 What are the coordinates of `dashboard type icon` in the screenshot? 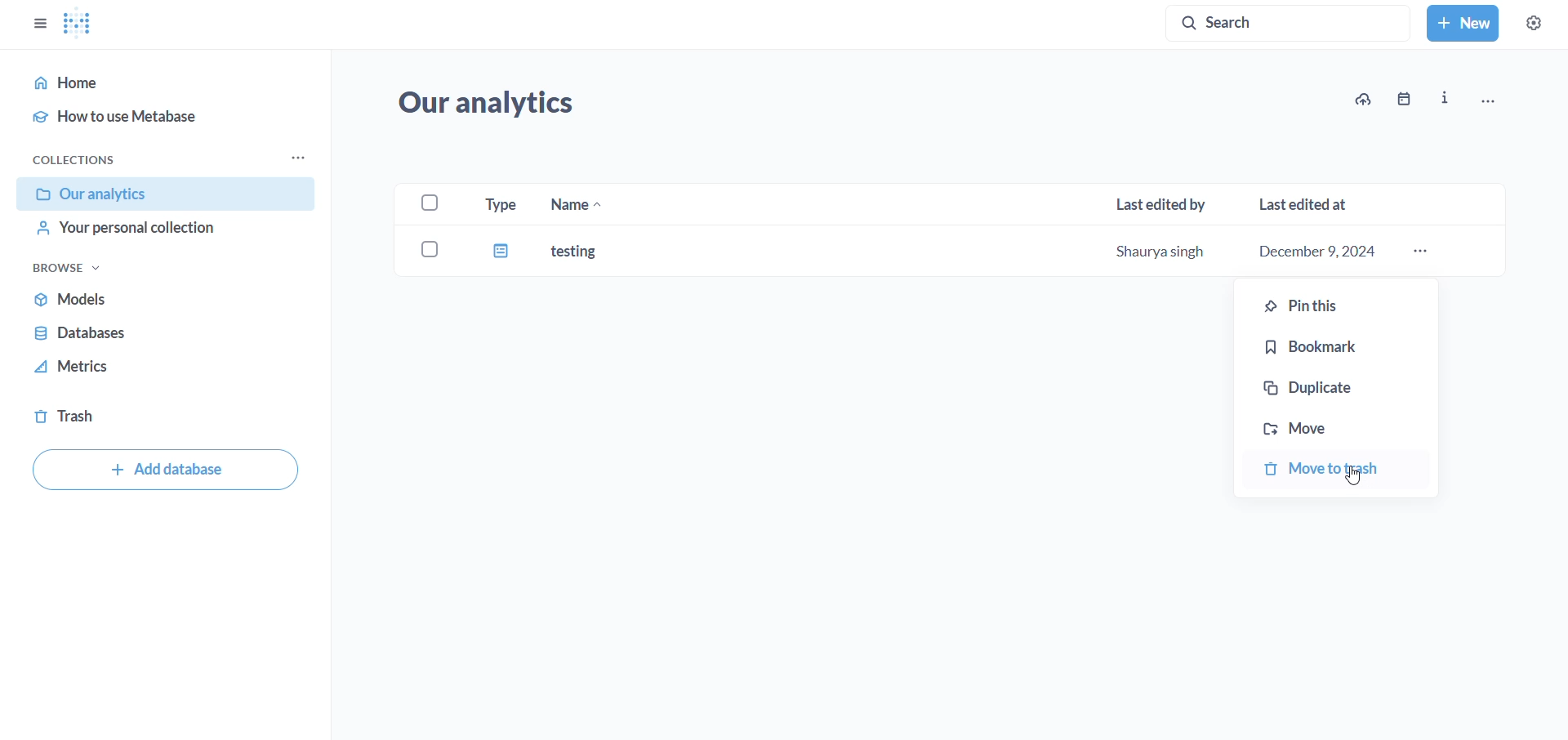 It's located at (504, 254).